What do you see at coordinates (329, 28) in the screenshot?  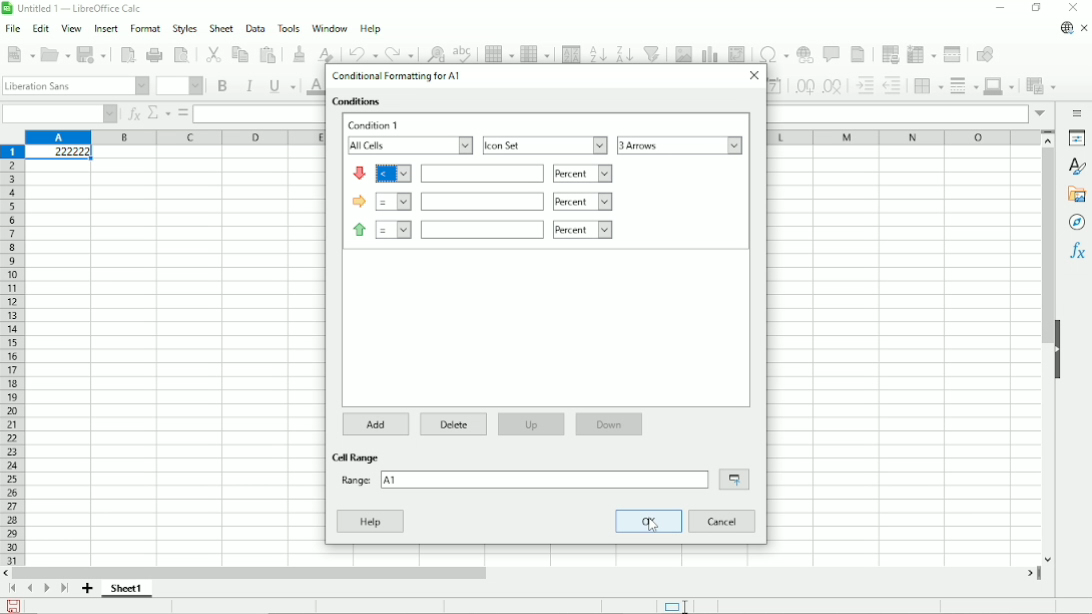 I see `Window` at bounding box center [329, 28].